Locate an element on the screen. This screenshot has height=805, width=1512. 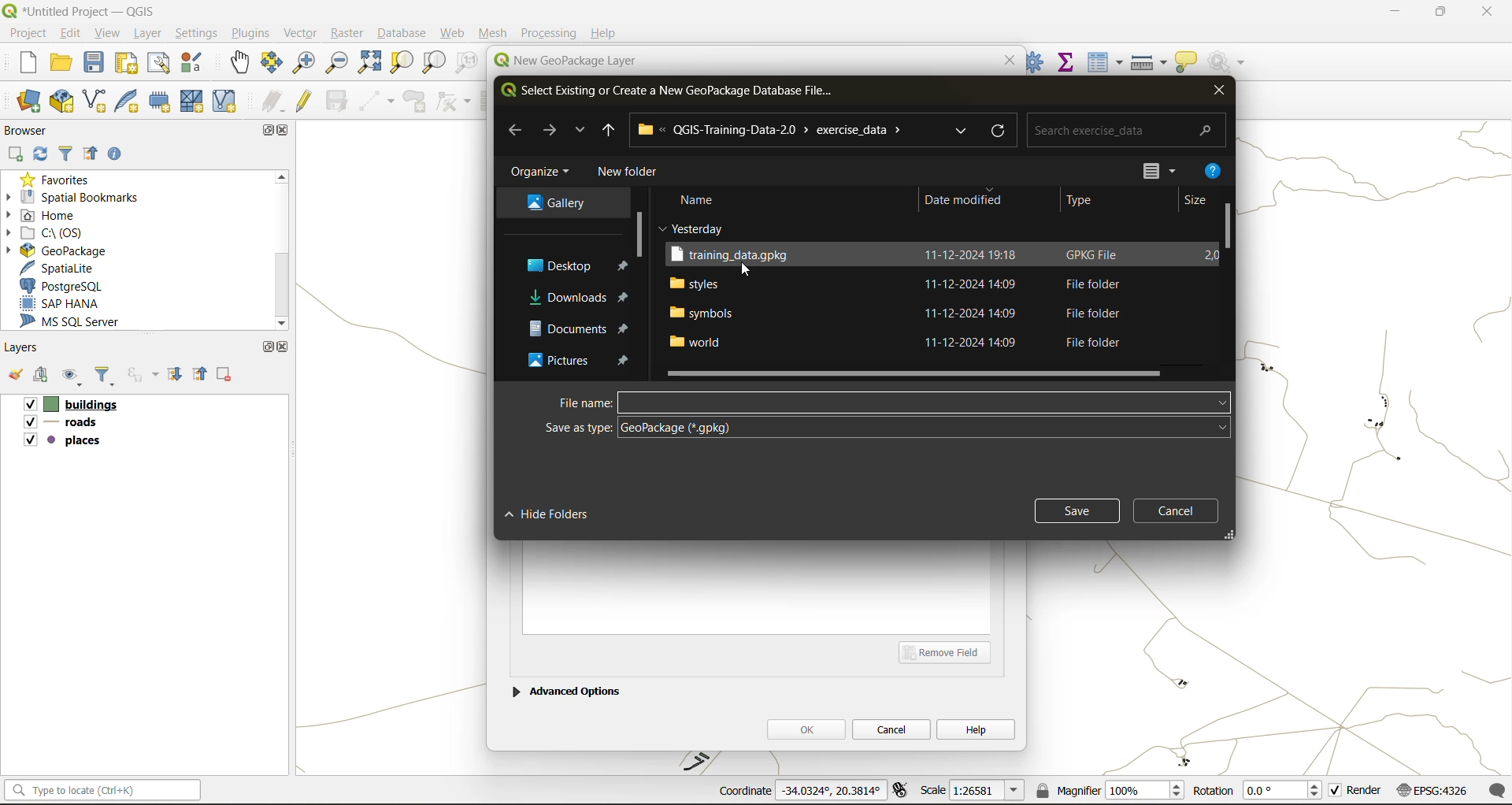
zoom out is located at coordinates (335, 65).